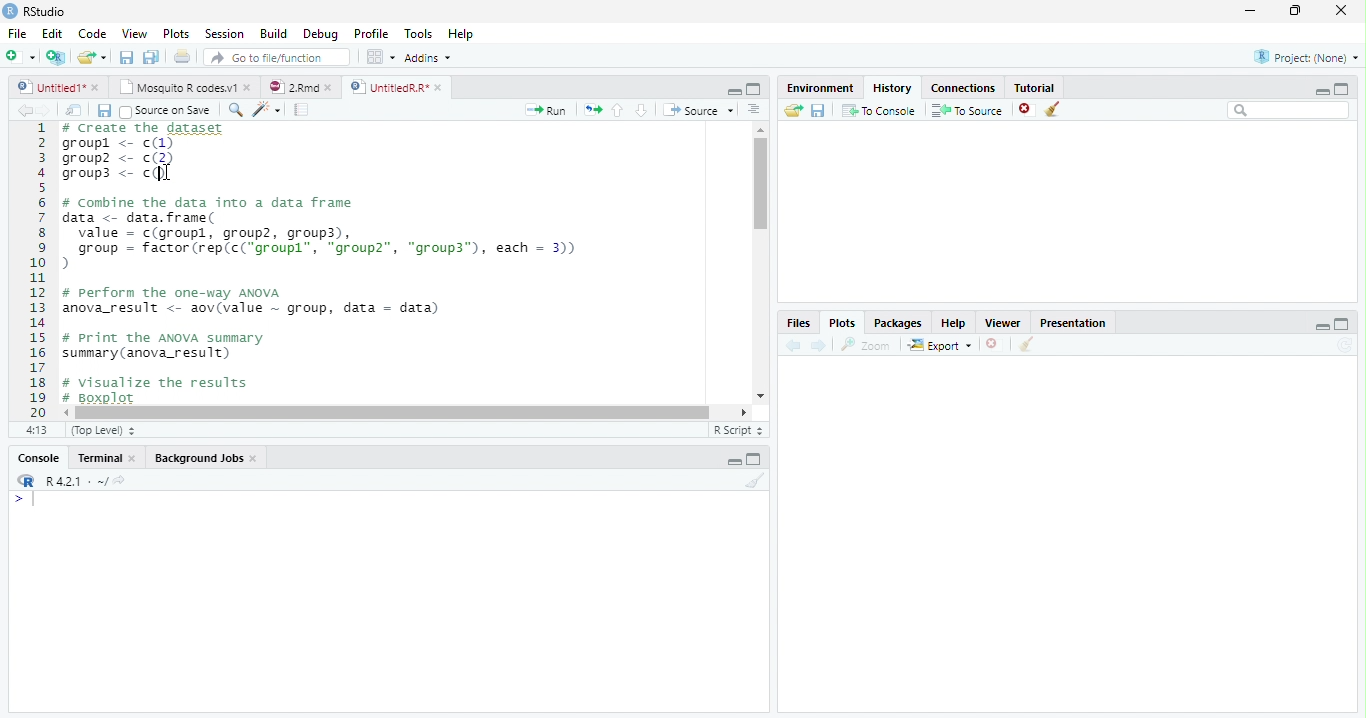 This screenshot has width=1366, height=718. What do you see at coordinates (1342, 325) in the screenshot?
I see `Maximize` at bounding box center [1342, 325].